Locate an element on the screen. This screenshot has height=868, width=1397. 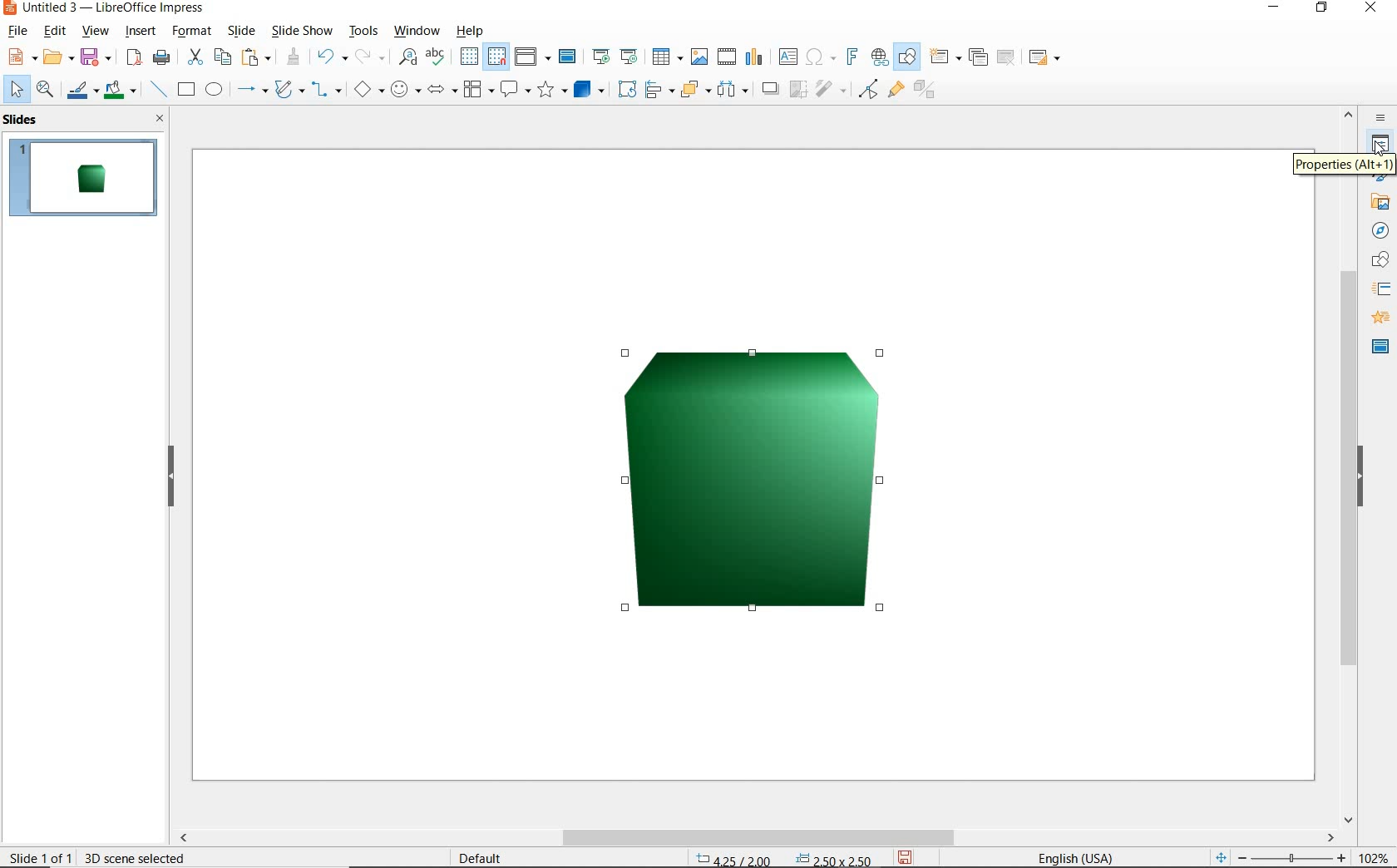
SELECT AT LEAST 3 OBJECTS TO DISTRIBUTE is located at coordinates (735, 91).